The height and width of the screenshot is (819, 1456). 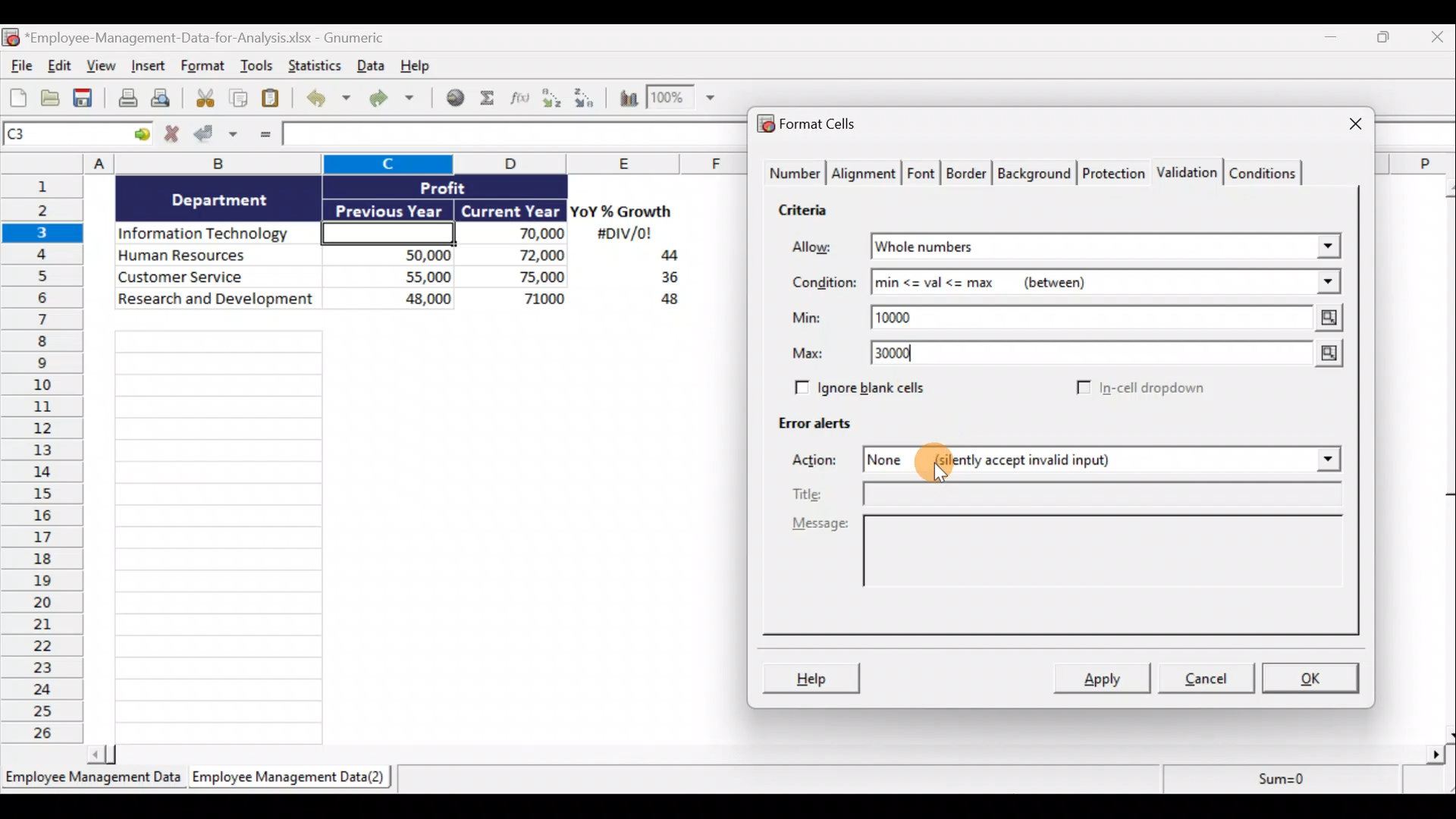 I want to click on #DIV/0!, so click(x=623, y=234).